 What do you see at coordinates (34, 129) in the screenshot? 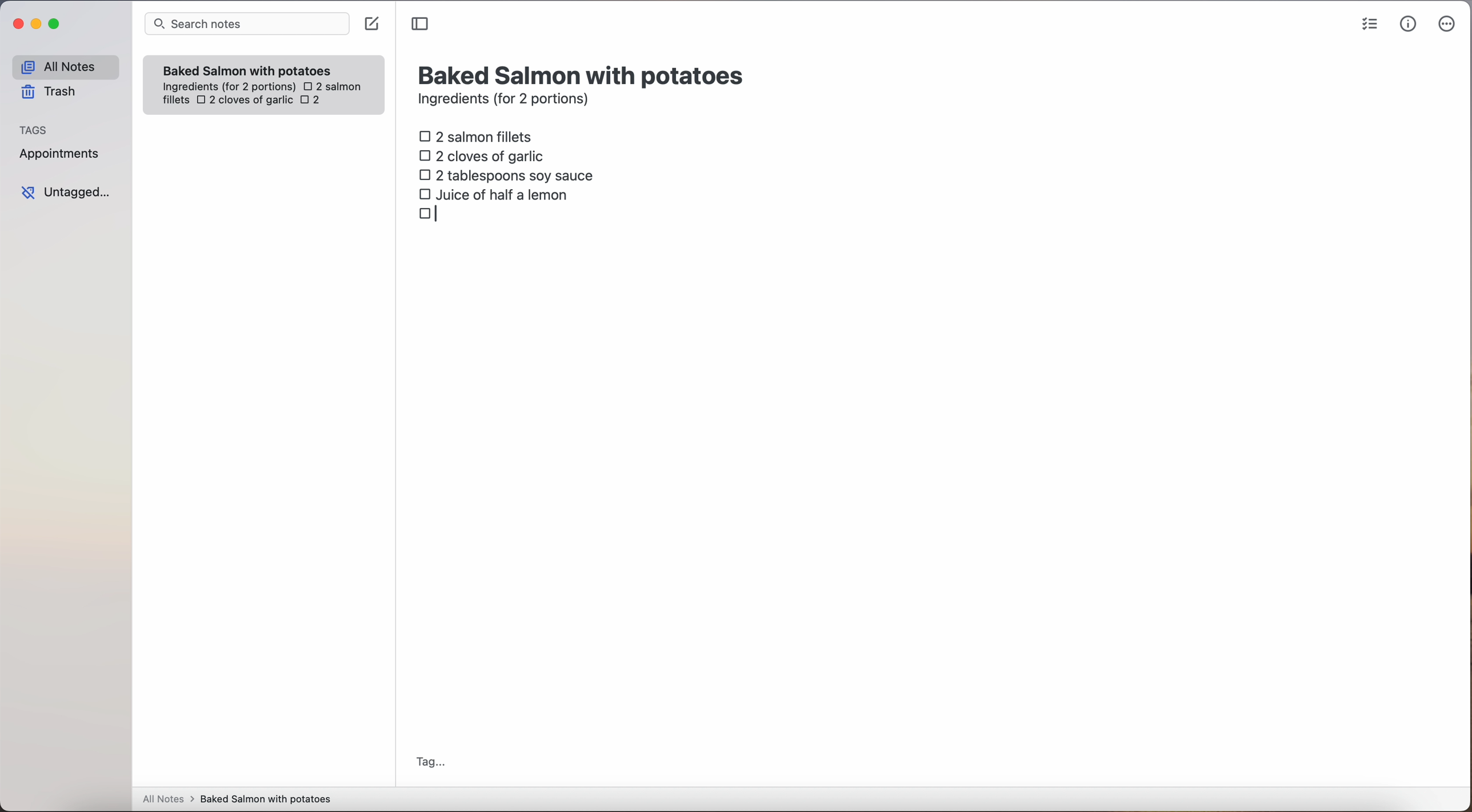
I see `tags` at bounding box center [34, 129].